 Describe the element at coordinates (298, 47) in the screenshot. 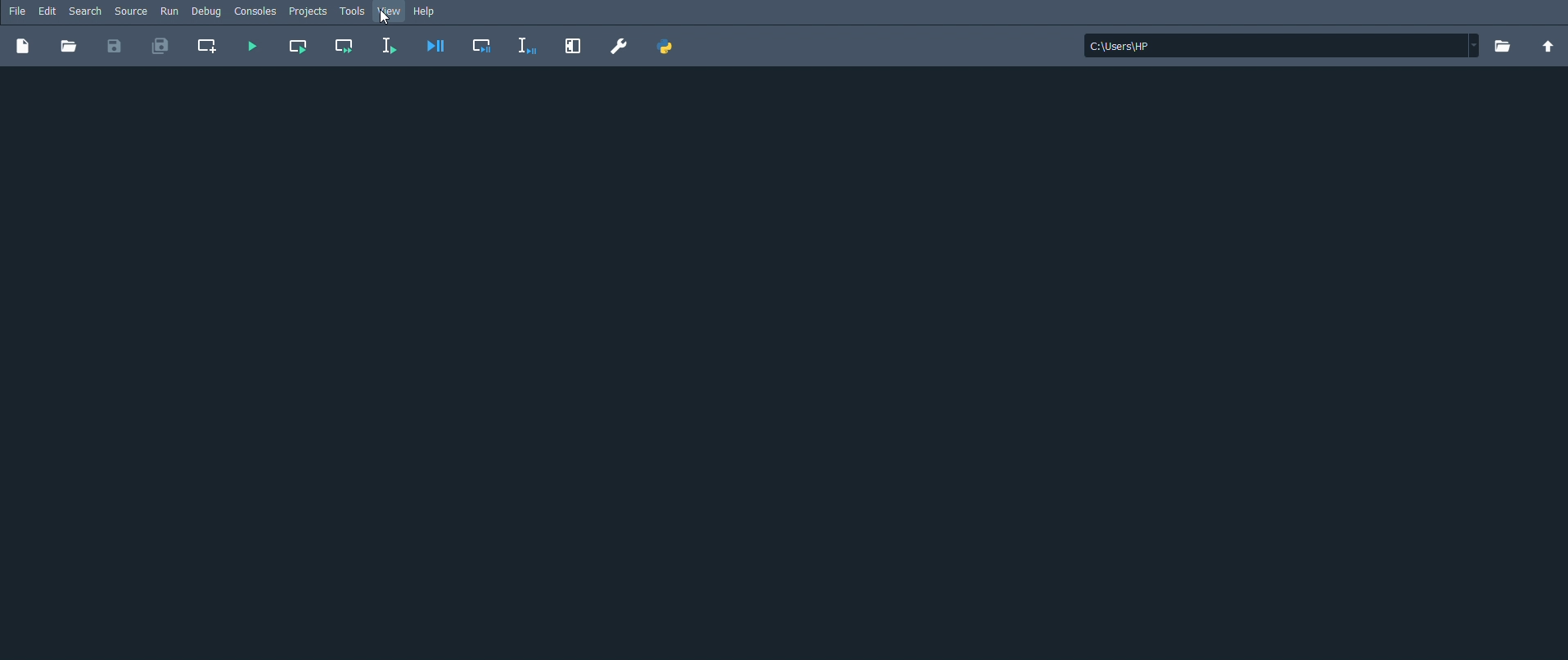

I see `Run current cell` at that location.